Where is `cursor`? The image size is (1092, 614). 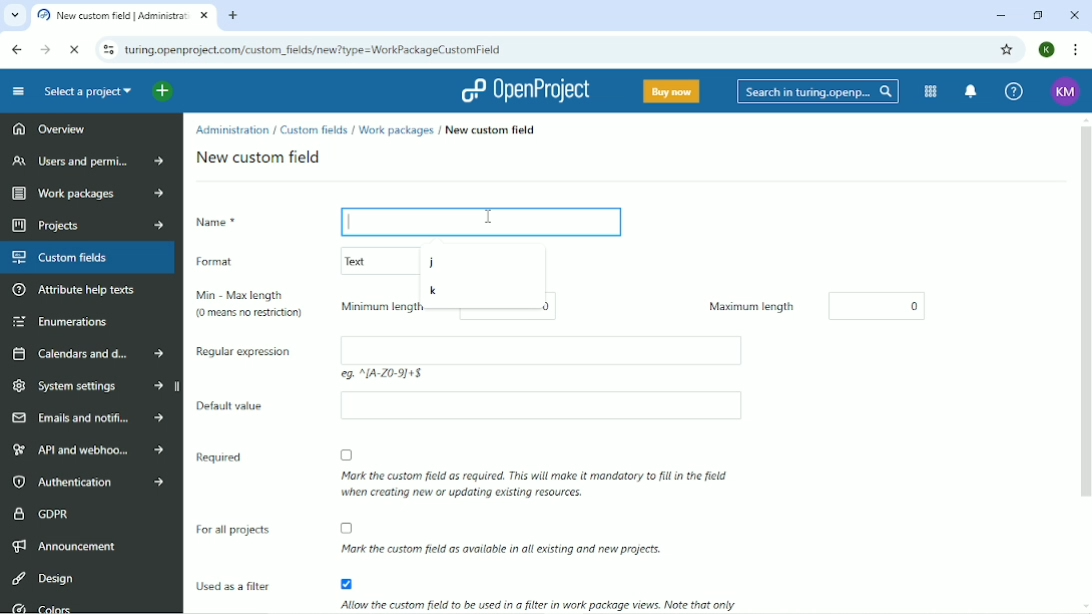
cursor is located at coordinates (492, 219).